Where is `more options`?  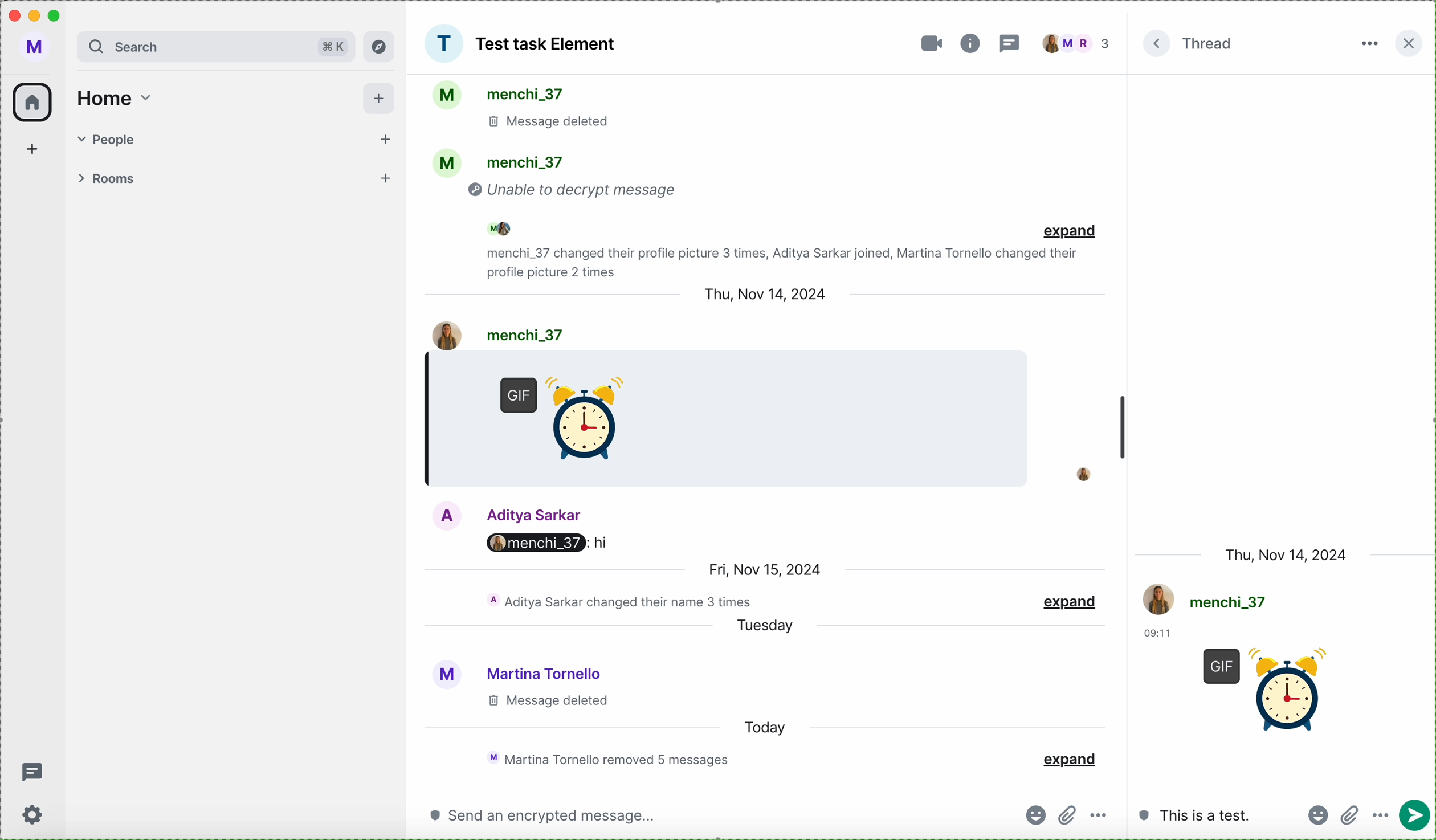
more options is located at coordinates (1368, 44).